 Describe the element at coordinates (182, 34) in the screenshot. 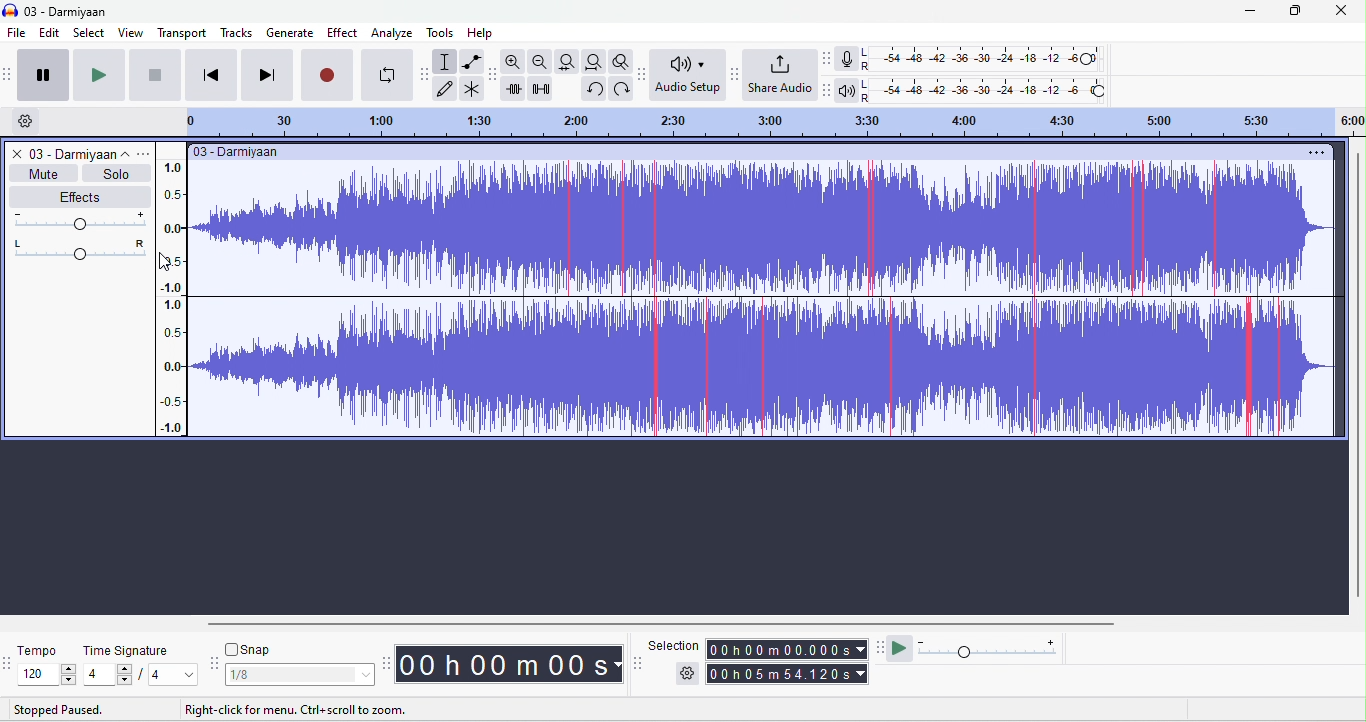

I see `transport` at that location.